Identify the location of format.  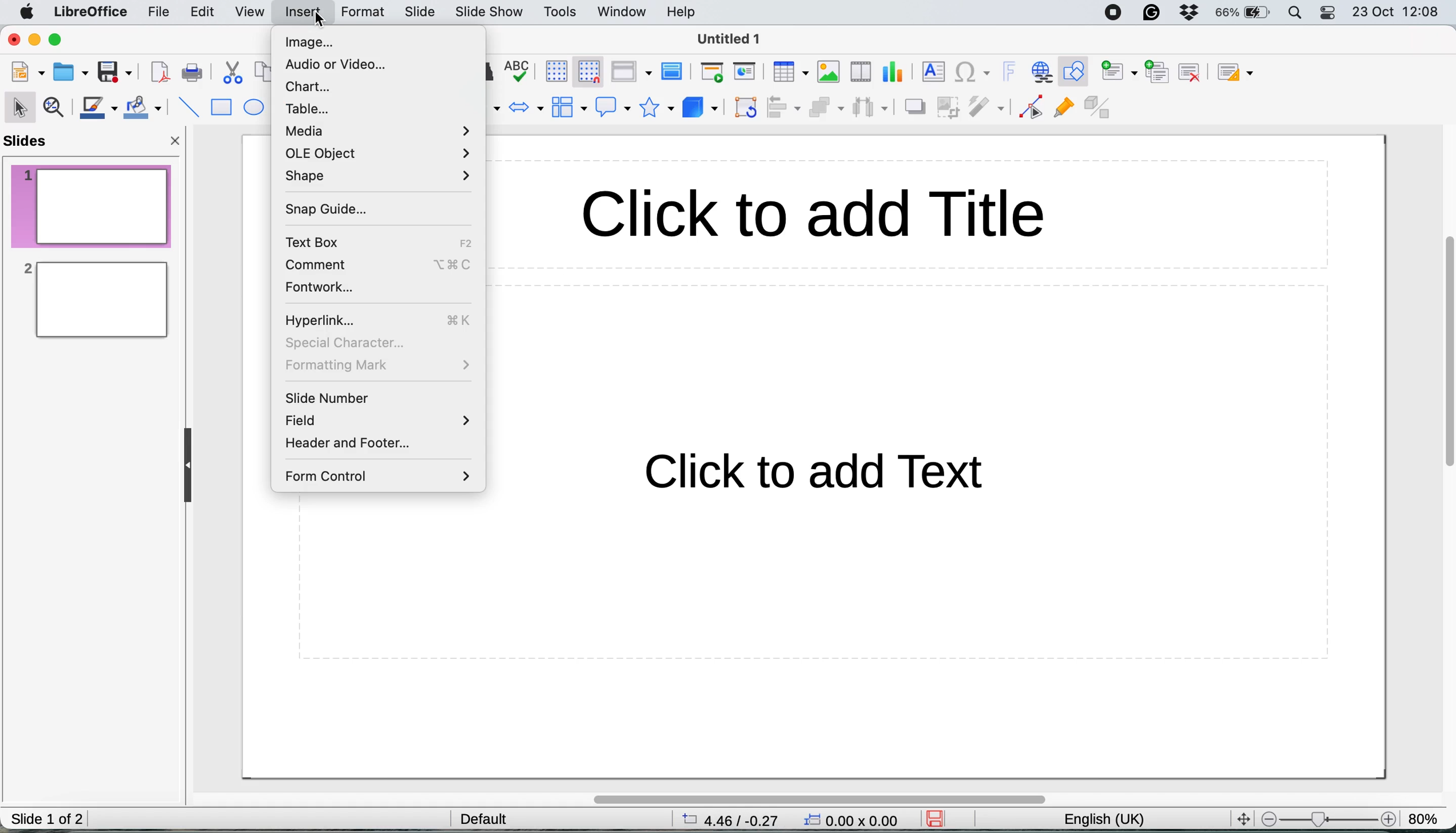
(365, 13).